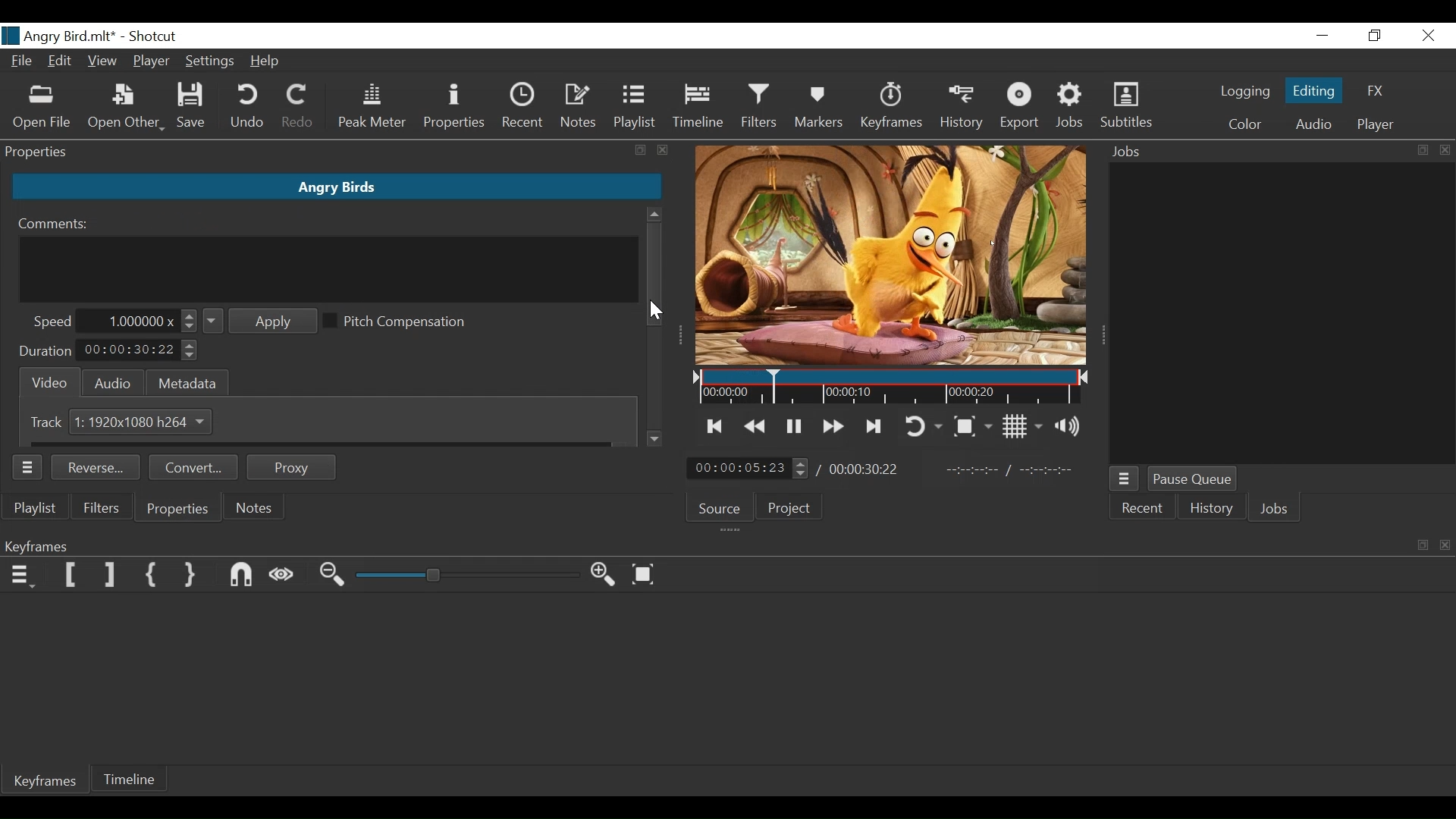  I want to click on Redo, so click(298, 109).